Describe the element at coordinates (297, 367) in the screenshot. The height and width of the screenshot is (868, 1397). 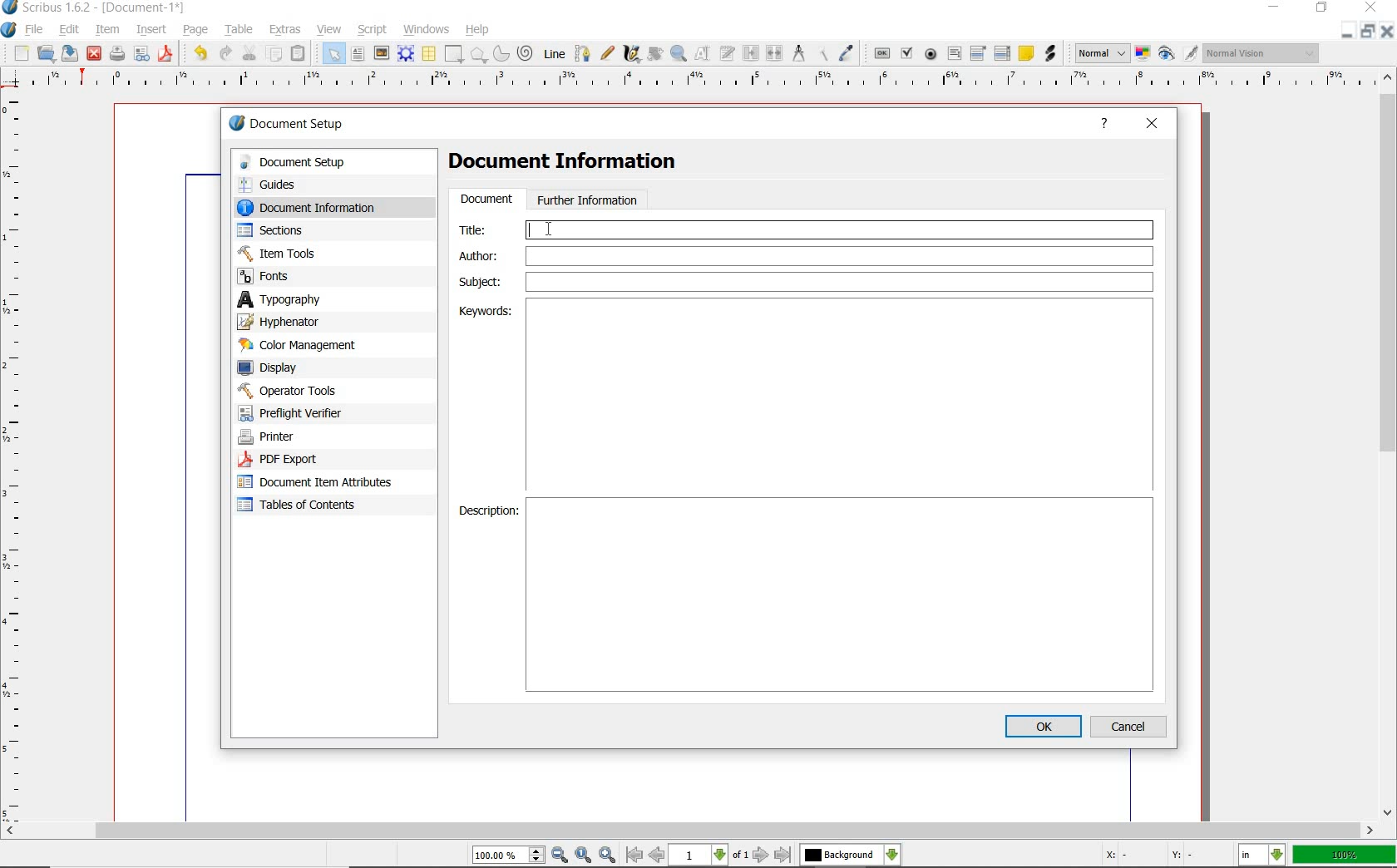
I see `display` at that location.